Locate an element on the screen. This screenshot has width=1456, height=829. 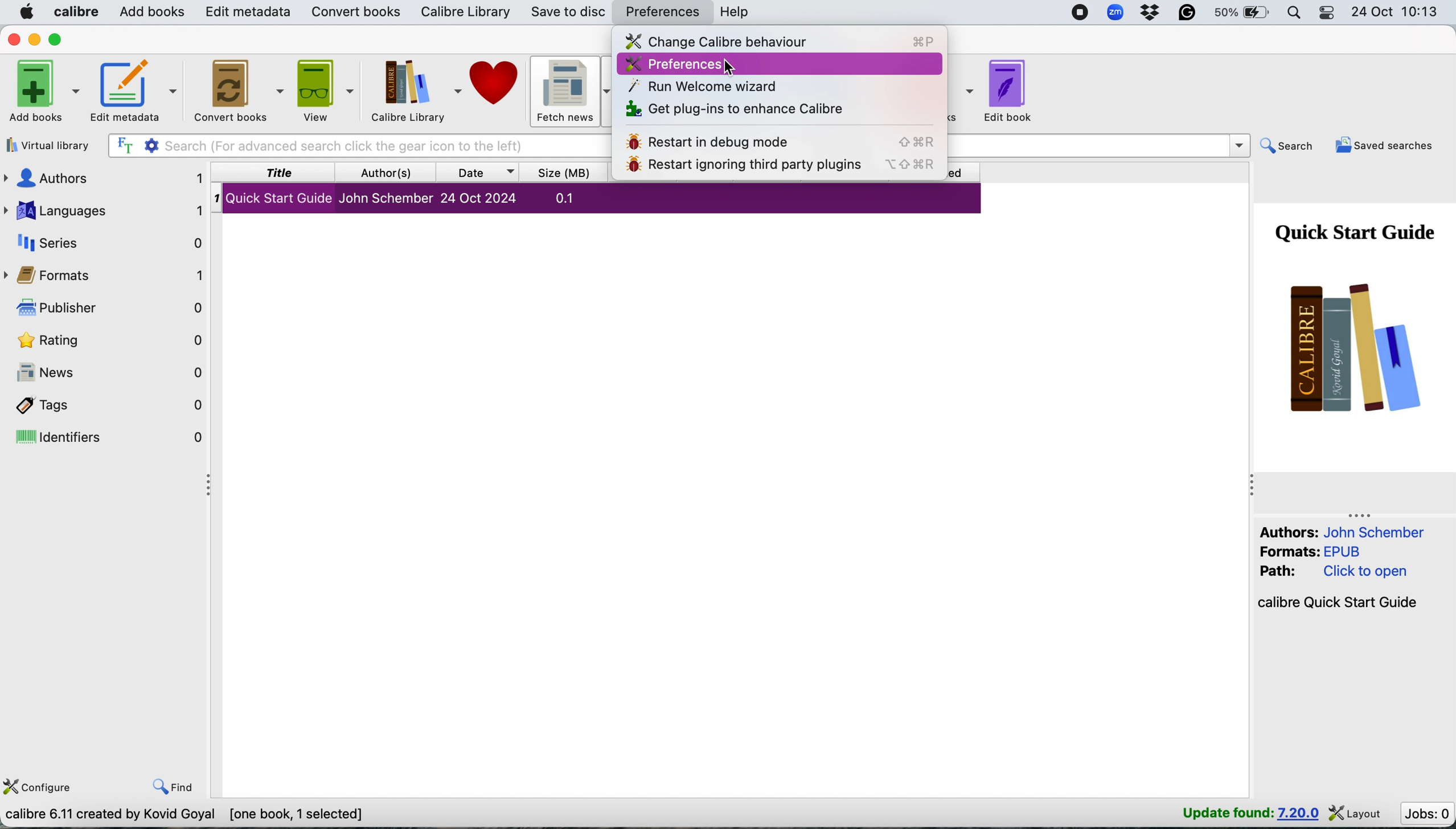
layout is located at coordinates (1357, 815).